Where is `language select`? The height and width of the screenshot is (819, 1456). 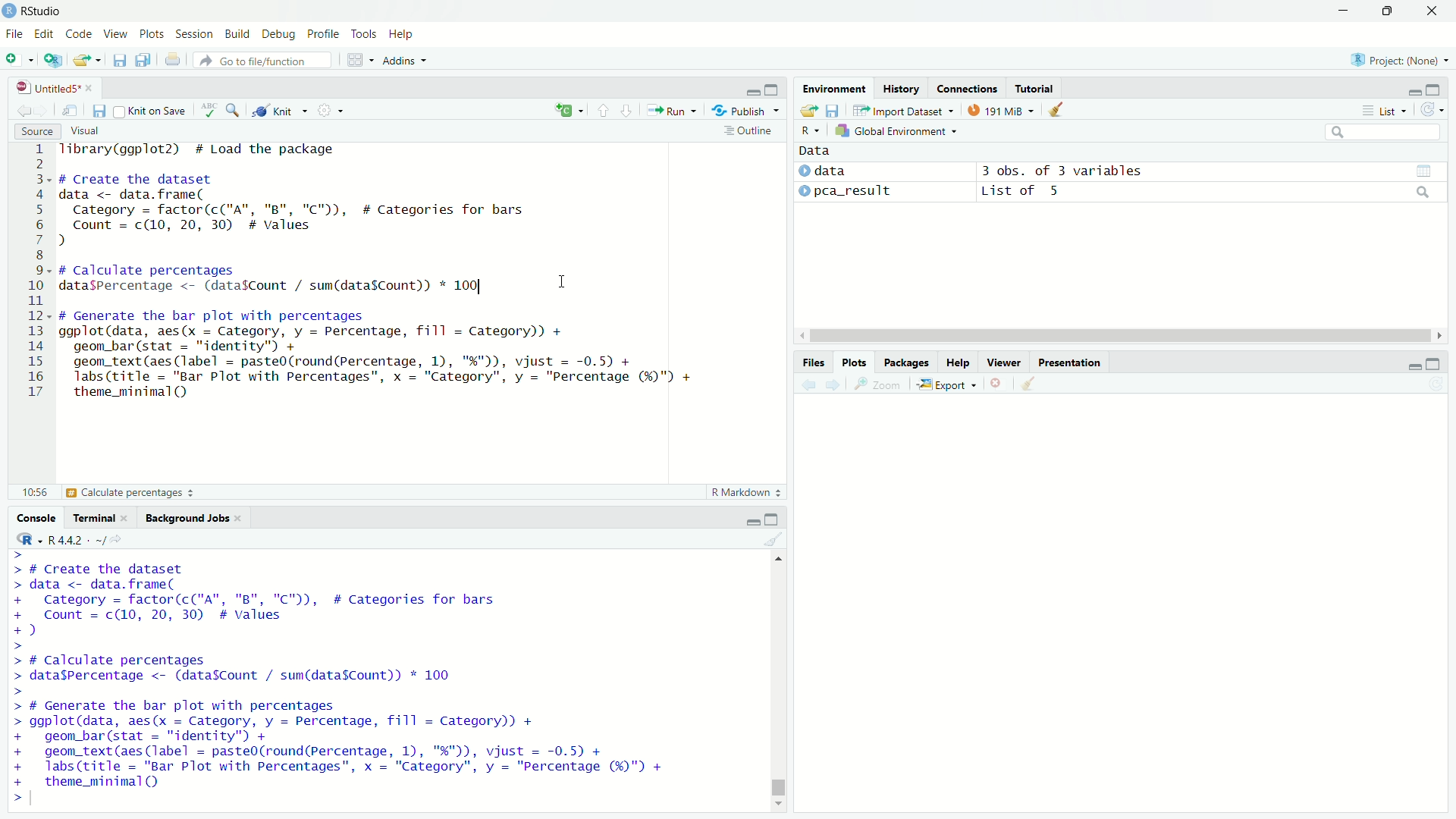
language select is located at coordinates (566, 111).